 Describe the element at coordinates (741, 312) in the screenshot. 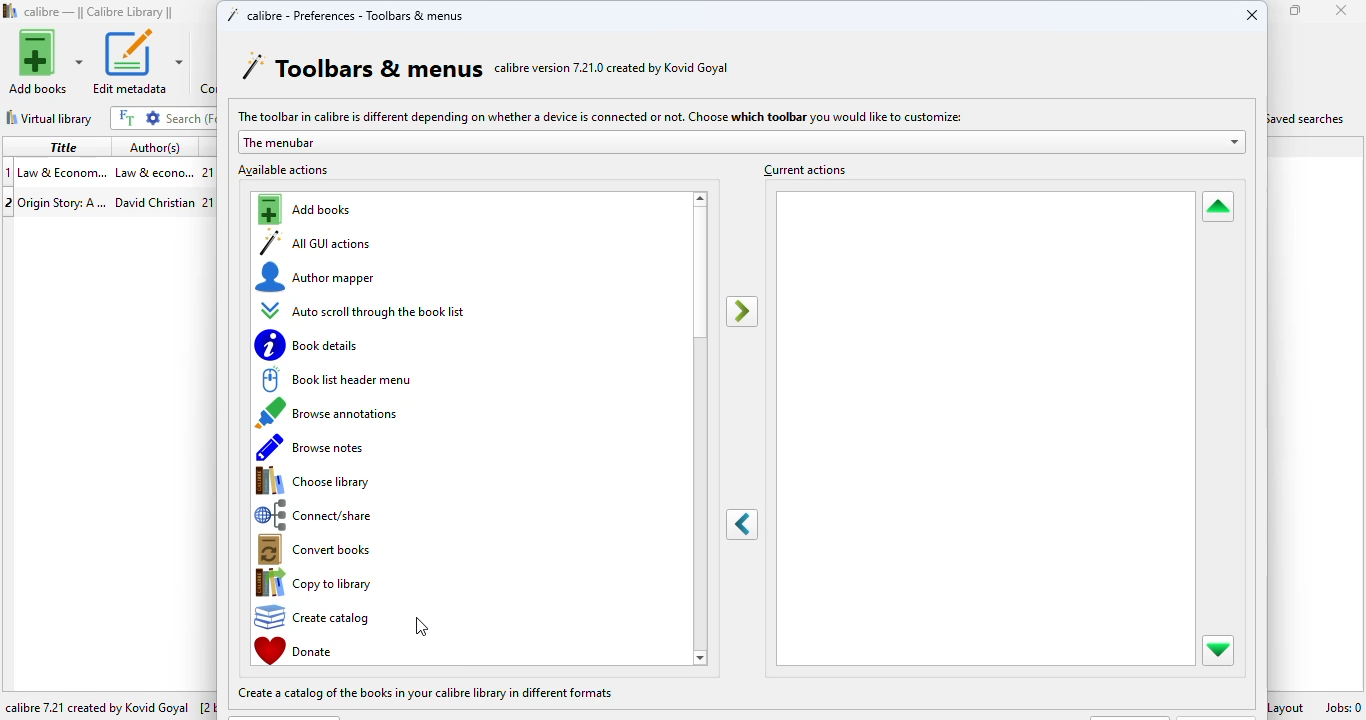

I see `add selected action to the toolbar` at that location.